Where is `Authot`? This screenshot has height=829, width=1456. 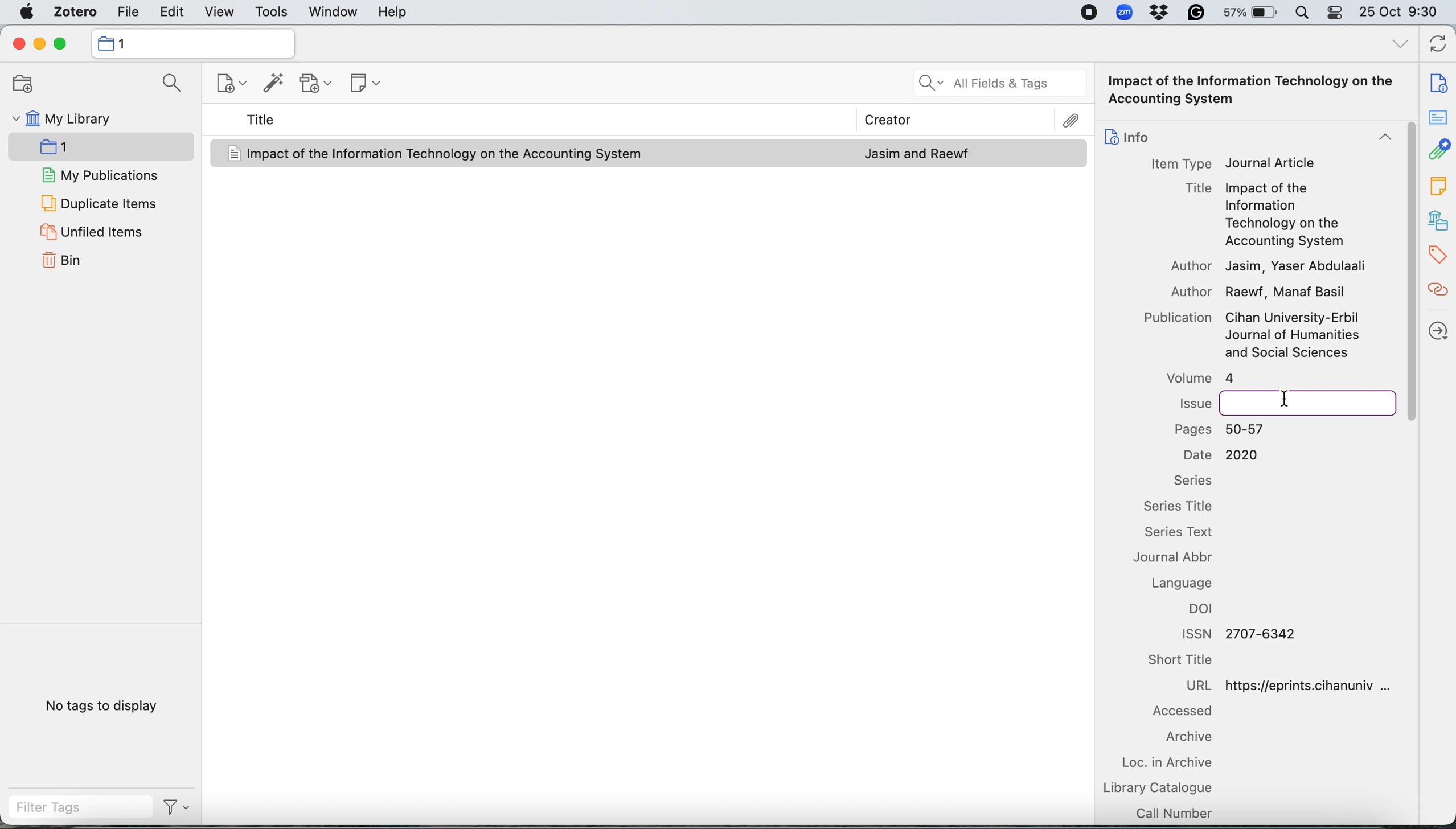 Authot is located at coordinates (1180, 291).